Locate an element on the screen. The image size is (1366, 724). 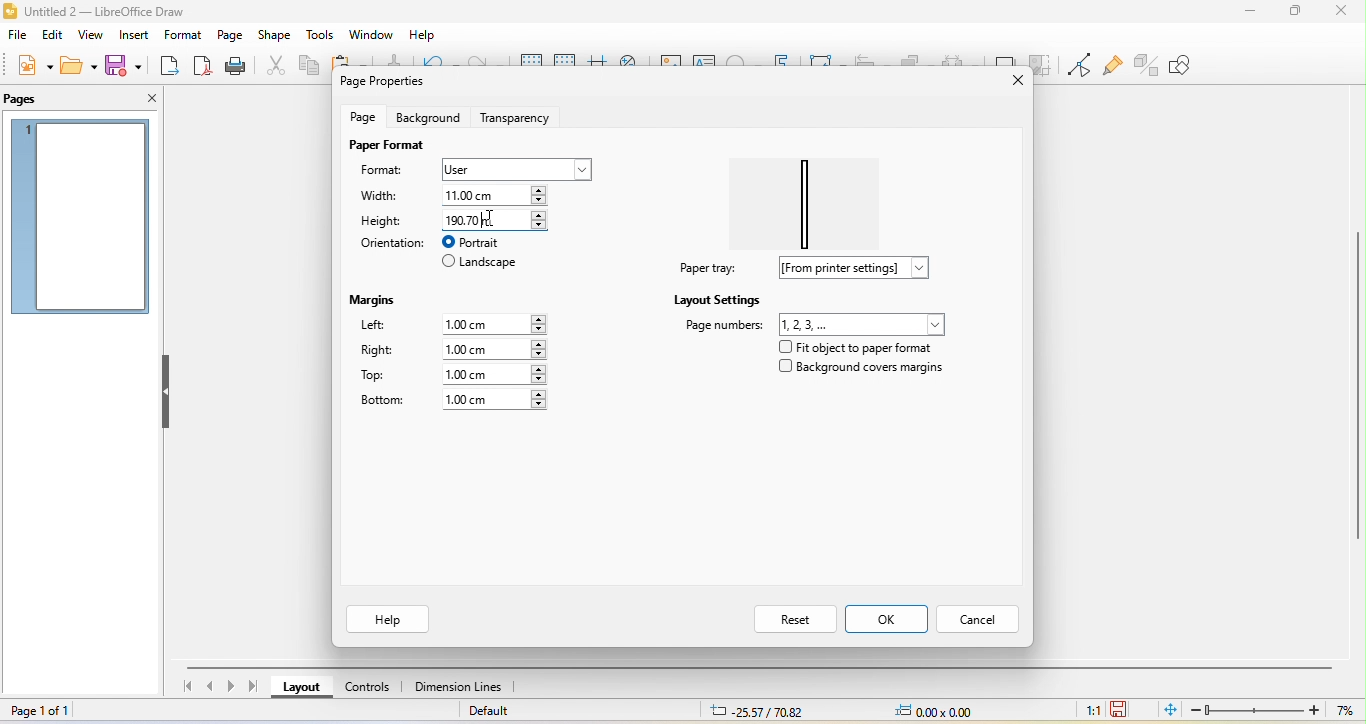
minimize is located at coordinates (1251, 10).